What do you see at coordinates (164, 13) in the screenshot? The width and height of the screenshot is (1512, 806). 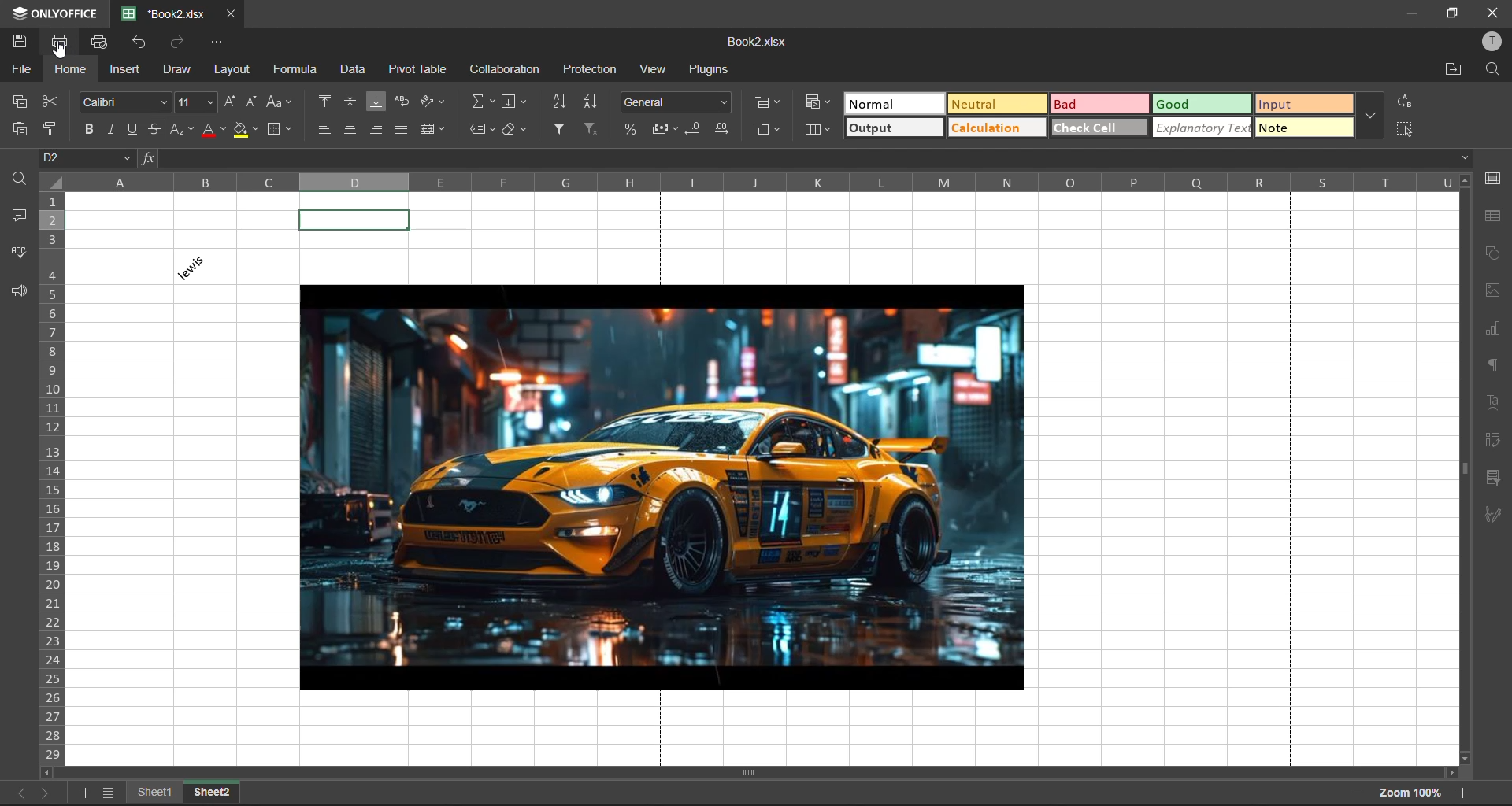 I see `file name` at bounding box center [164, 13].